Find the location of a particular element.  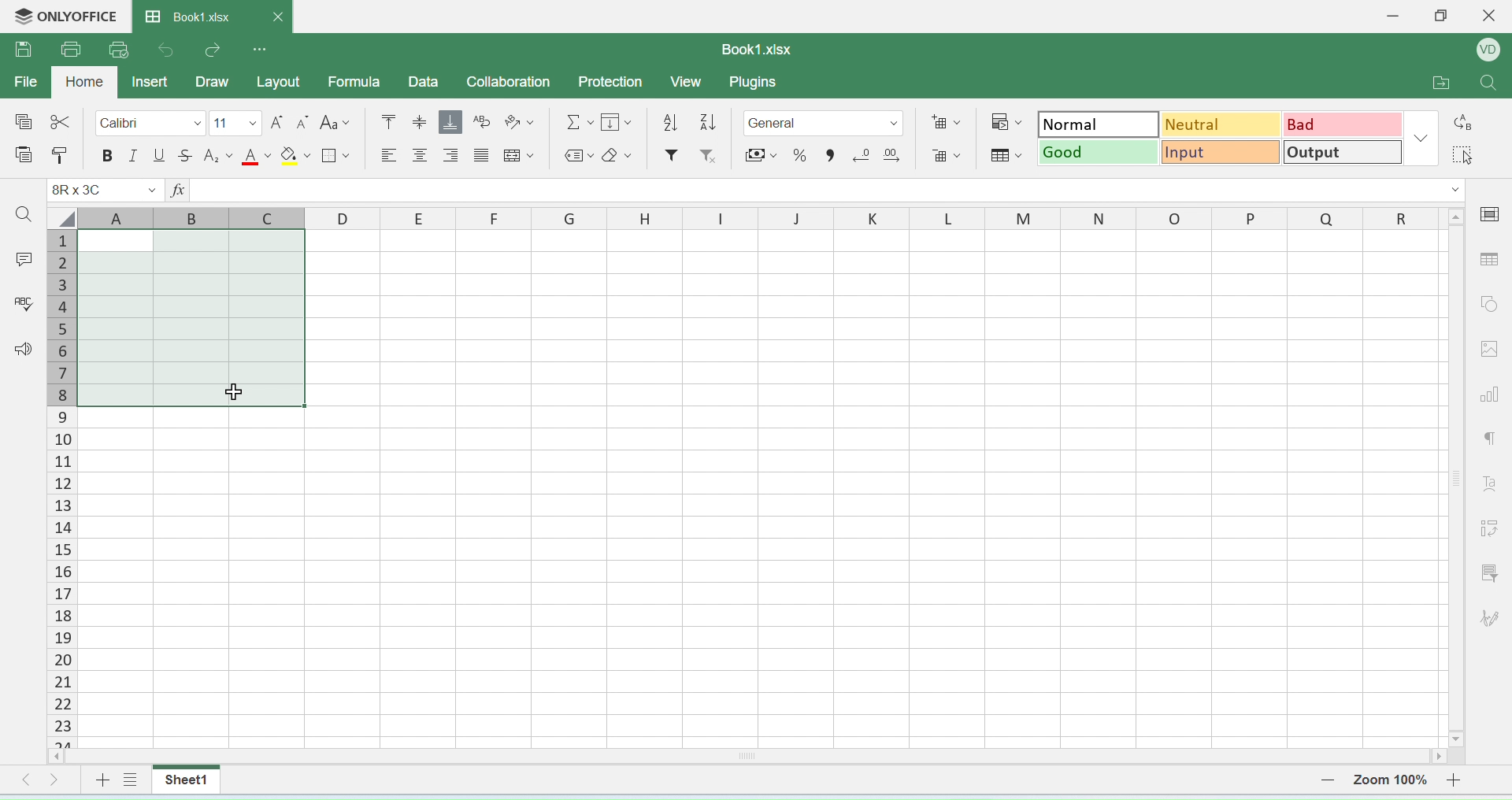

chart is located at coordinates (1492, 392).